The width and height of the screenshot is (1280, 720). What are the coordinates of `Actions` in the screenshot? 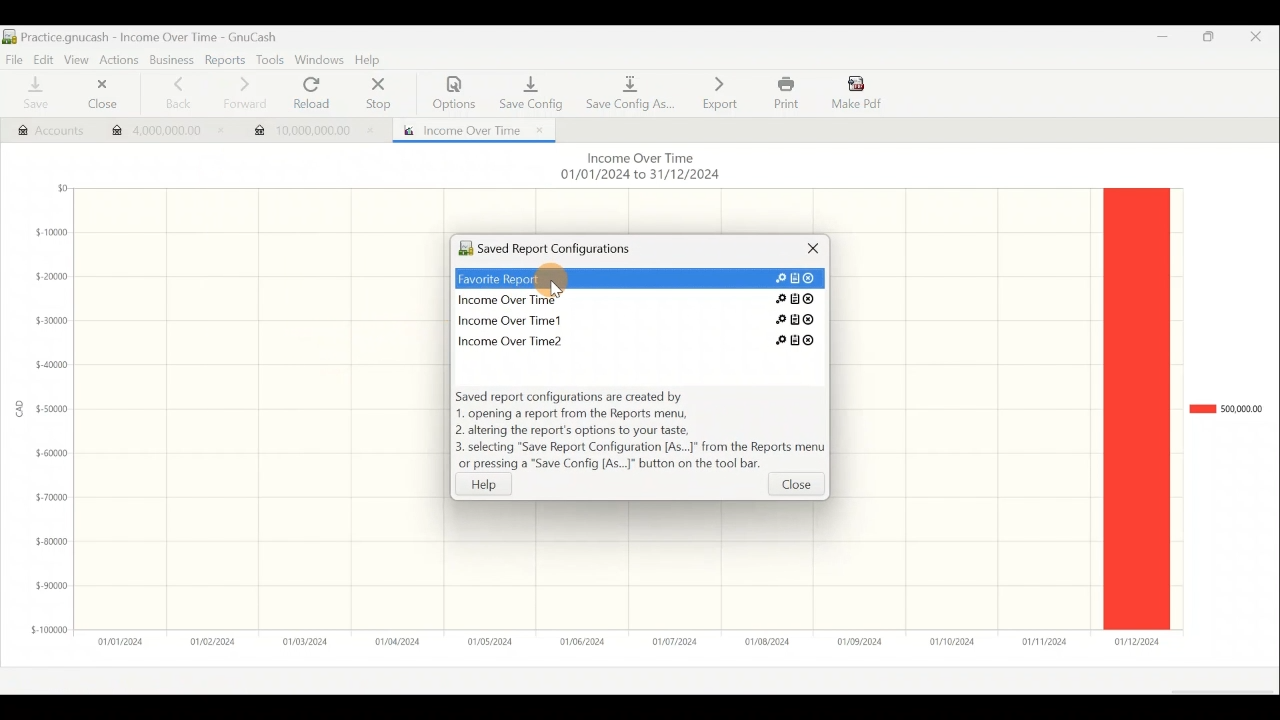 It's located at (119, 59).